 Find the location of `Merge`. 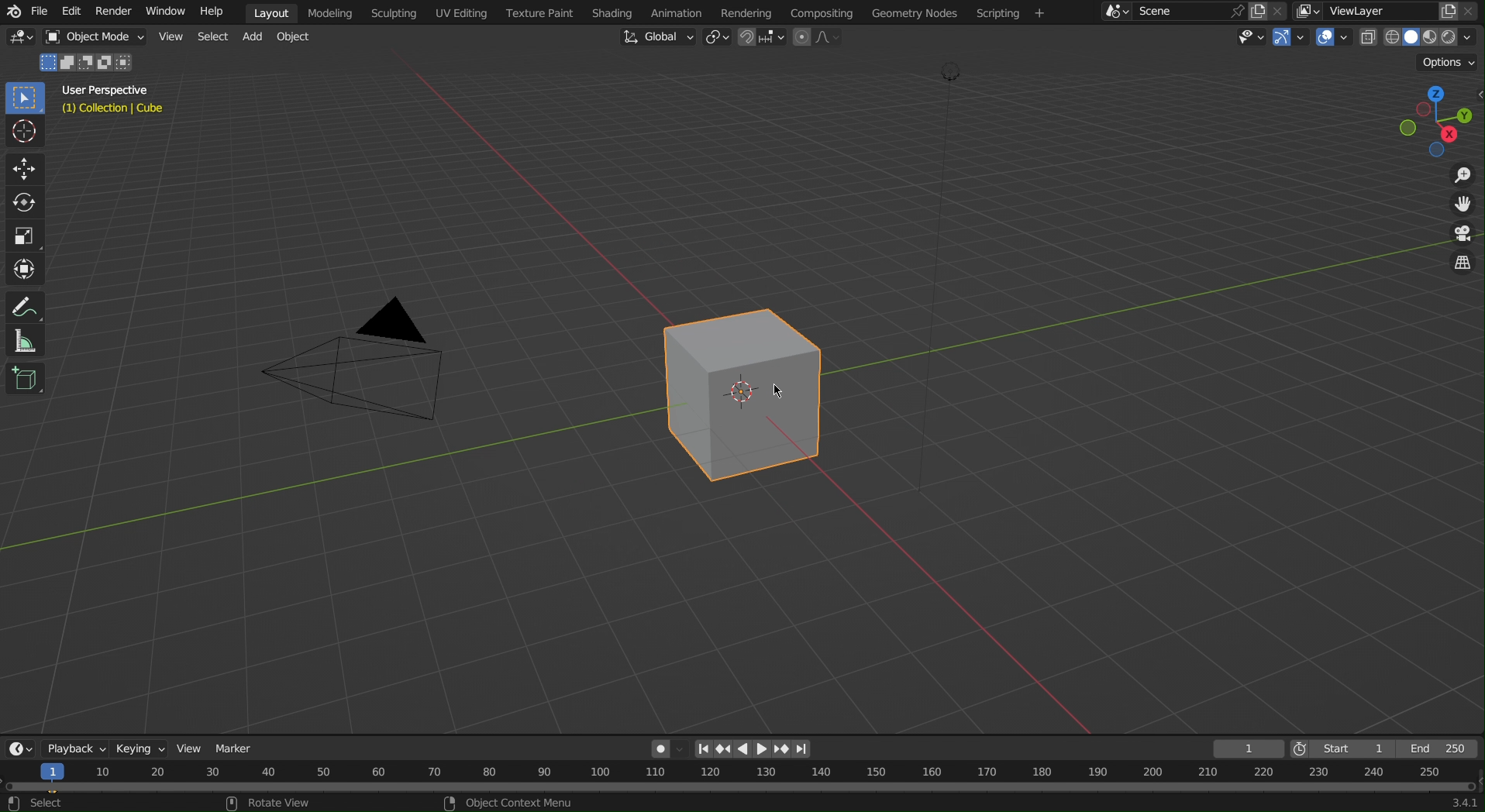

Merge is located at coordinates (68, 61).